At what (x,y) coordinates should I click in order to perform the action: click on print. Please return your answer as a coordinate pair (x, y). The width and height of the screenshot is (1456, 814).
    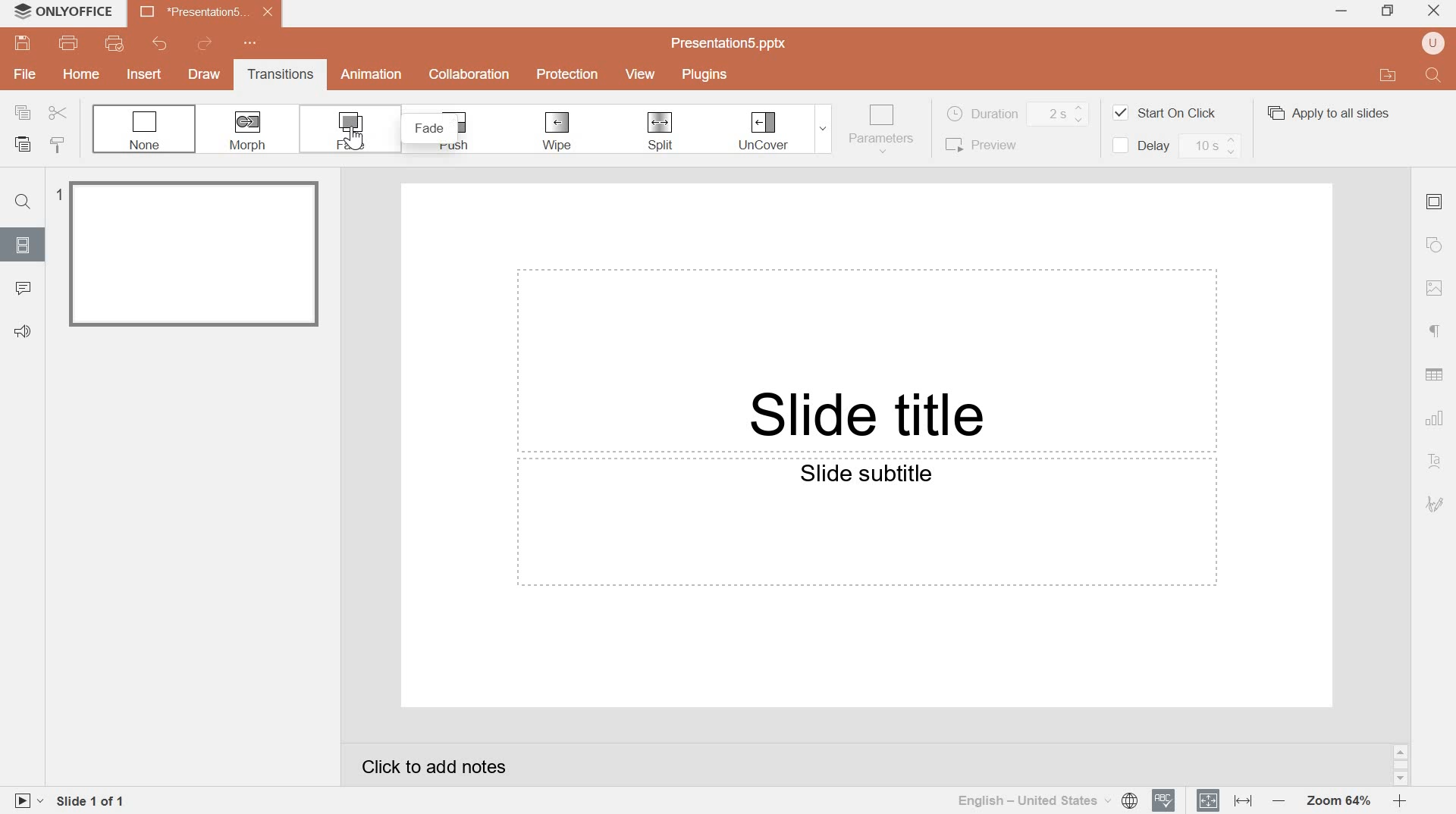
    Looking at the image, I should click on (69, 43).